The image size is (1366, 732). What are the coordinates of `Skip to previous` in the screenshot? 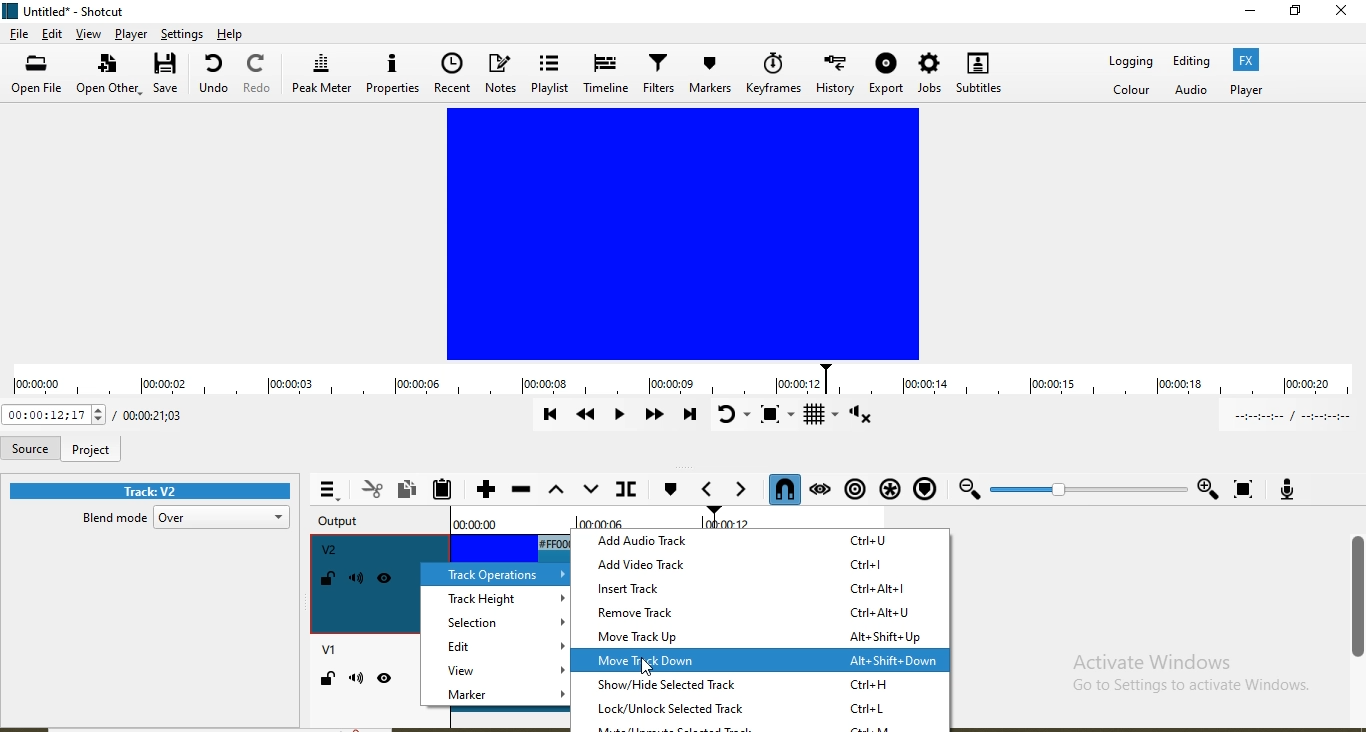 It's located at (549, 414).